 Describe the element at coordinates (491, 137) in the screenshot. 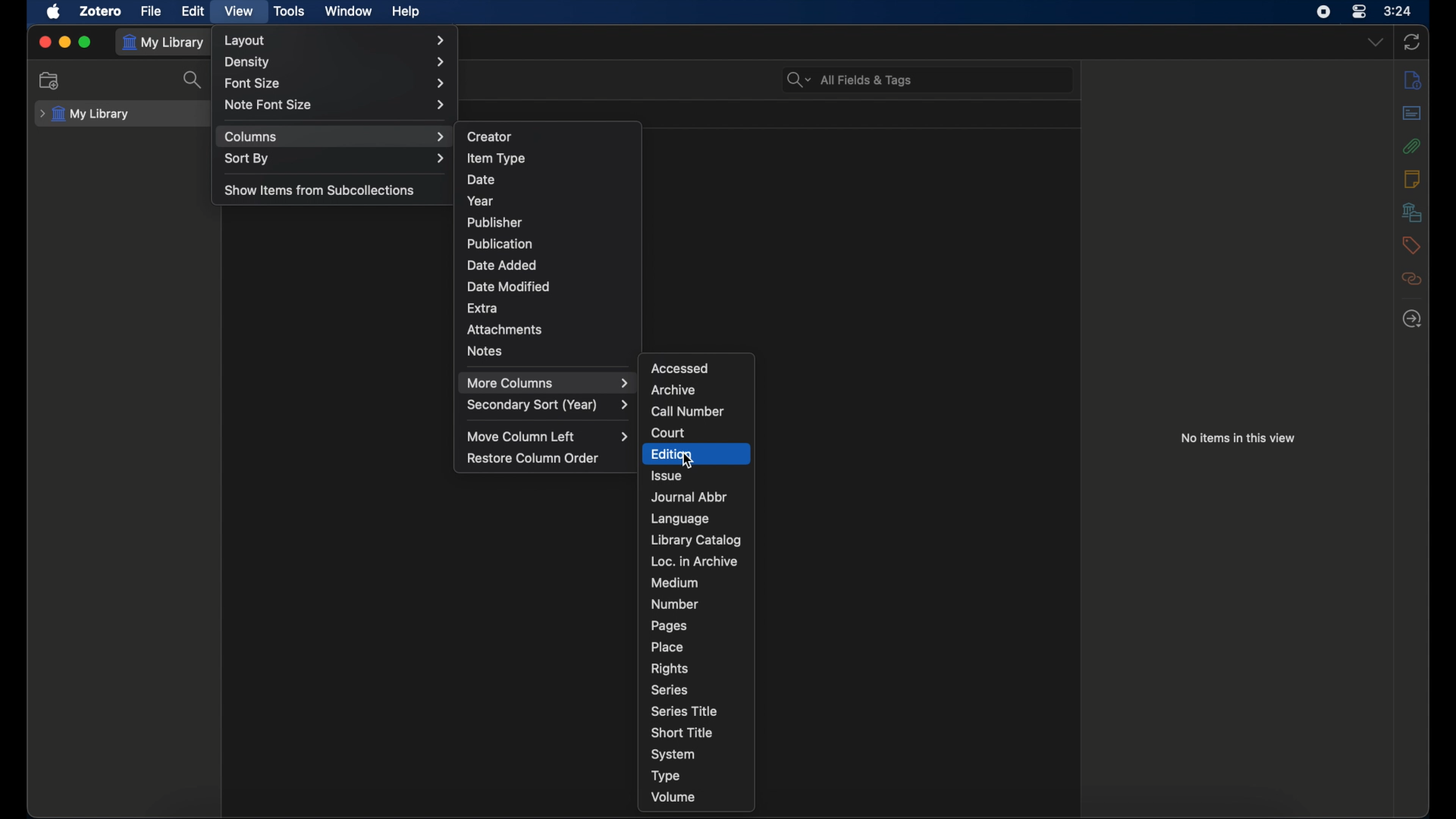

I see `creator` at that location.